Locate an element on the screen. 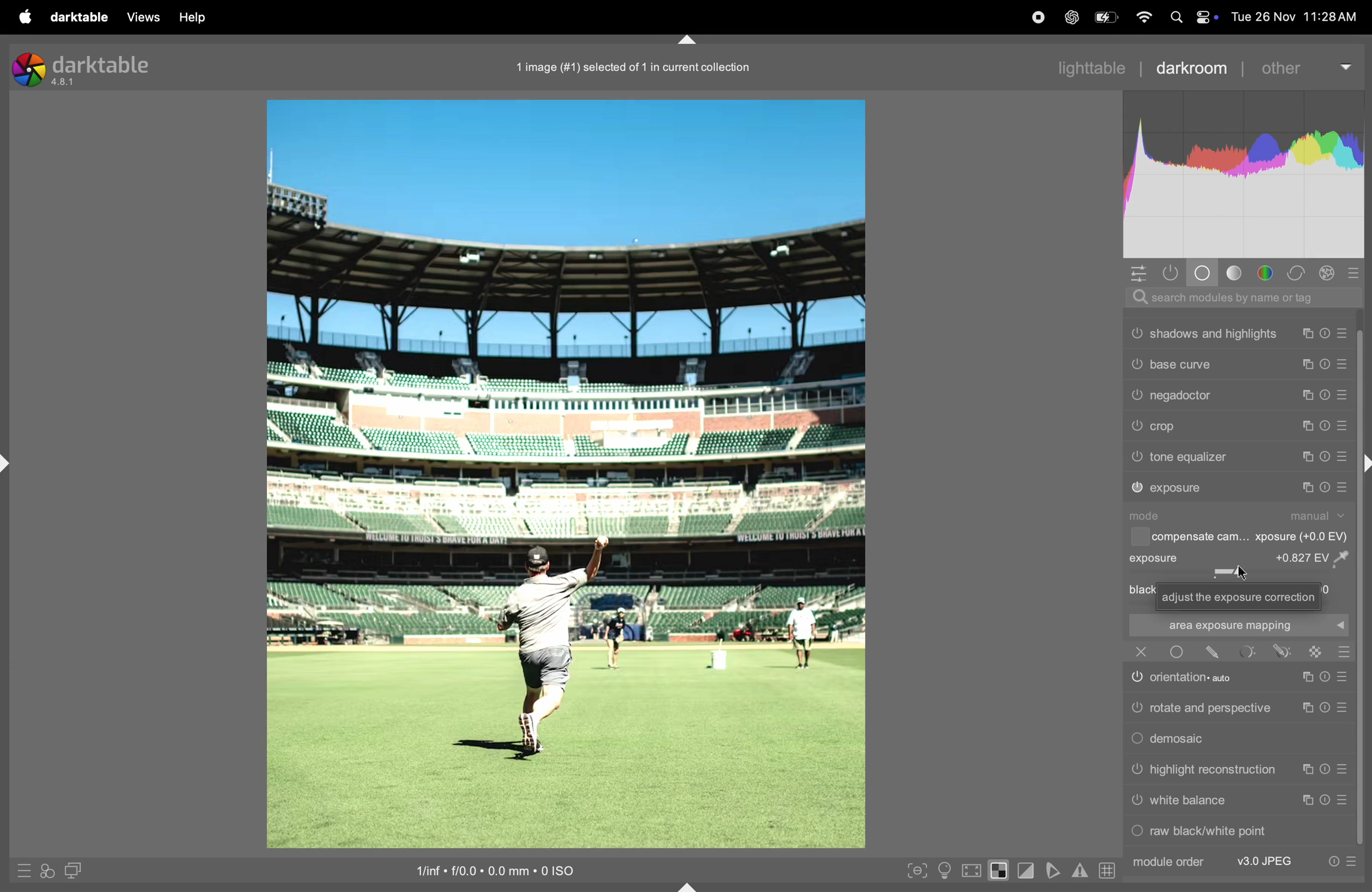  views is located at coordinates (140, 17).